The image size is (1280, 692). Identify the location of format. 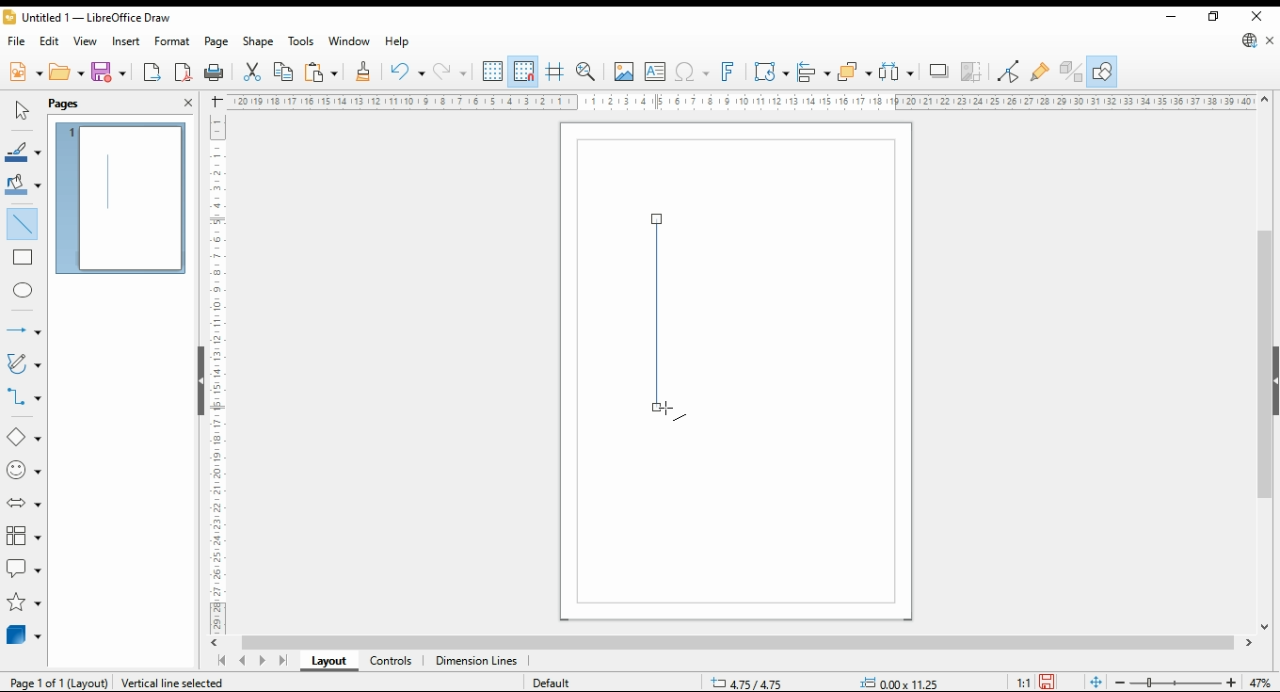
(173, 41).